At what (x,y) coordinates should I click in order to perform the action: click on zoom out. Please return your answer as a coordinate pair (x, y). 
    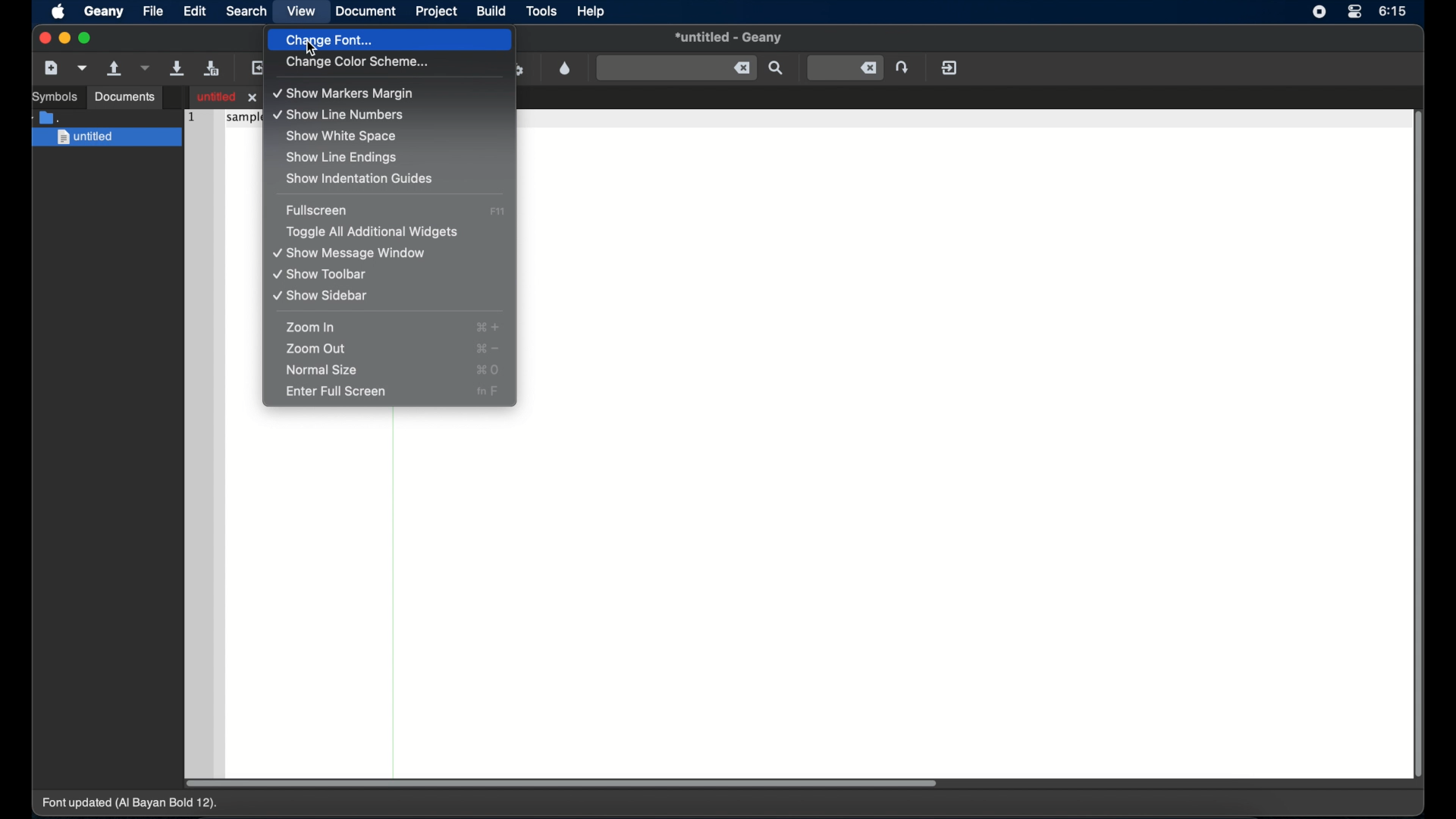
    Looking at the image, I should click on (488, 348).